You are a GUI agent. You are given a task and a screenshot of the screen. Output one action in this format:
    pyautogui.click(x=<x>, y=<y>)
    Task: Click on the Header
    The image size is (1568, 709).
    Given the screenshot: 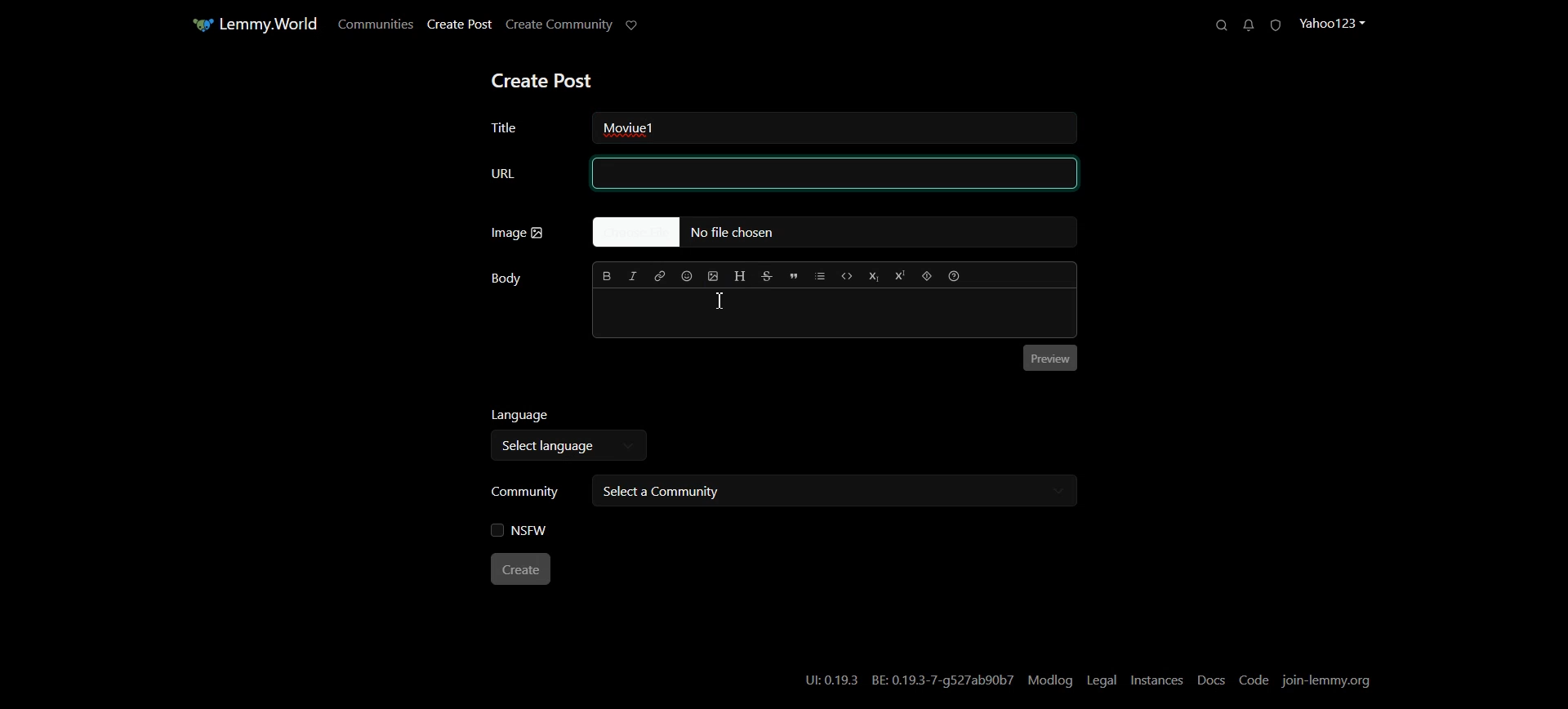 What is the action you would take?
    pyautogui.click(x=740, y=276)
    